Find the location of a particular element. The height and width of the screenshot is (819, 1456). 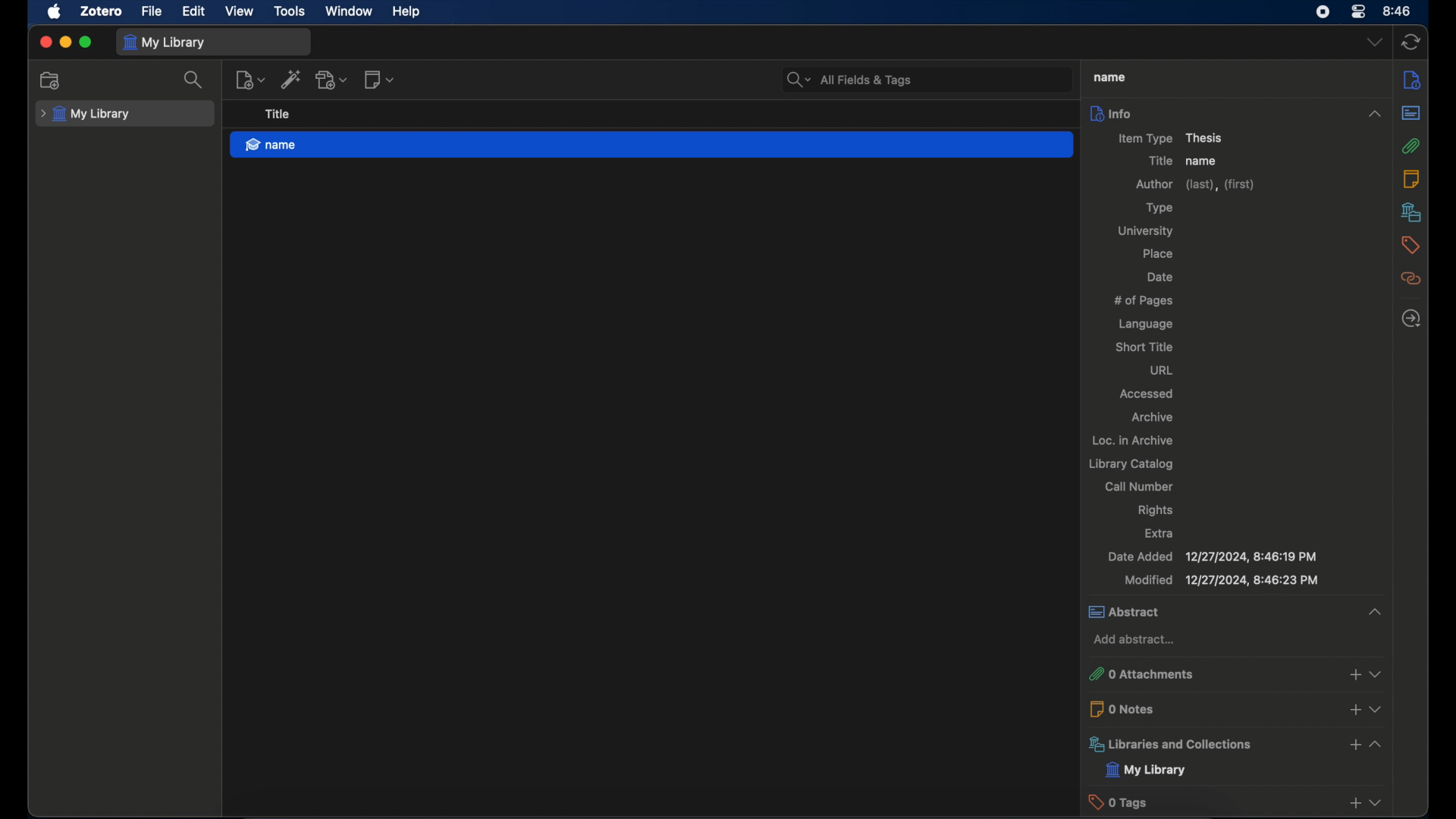

search bar input is located at coordinates (943, 80).